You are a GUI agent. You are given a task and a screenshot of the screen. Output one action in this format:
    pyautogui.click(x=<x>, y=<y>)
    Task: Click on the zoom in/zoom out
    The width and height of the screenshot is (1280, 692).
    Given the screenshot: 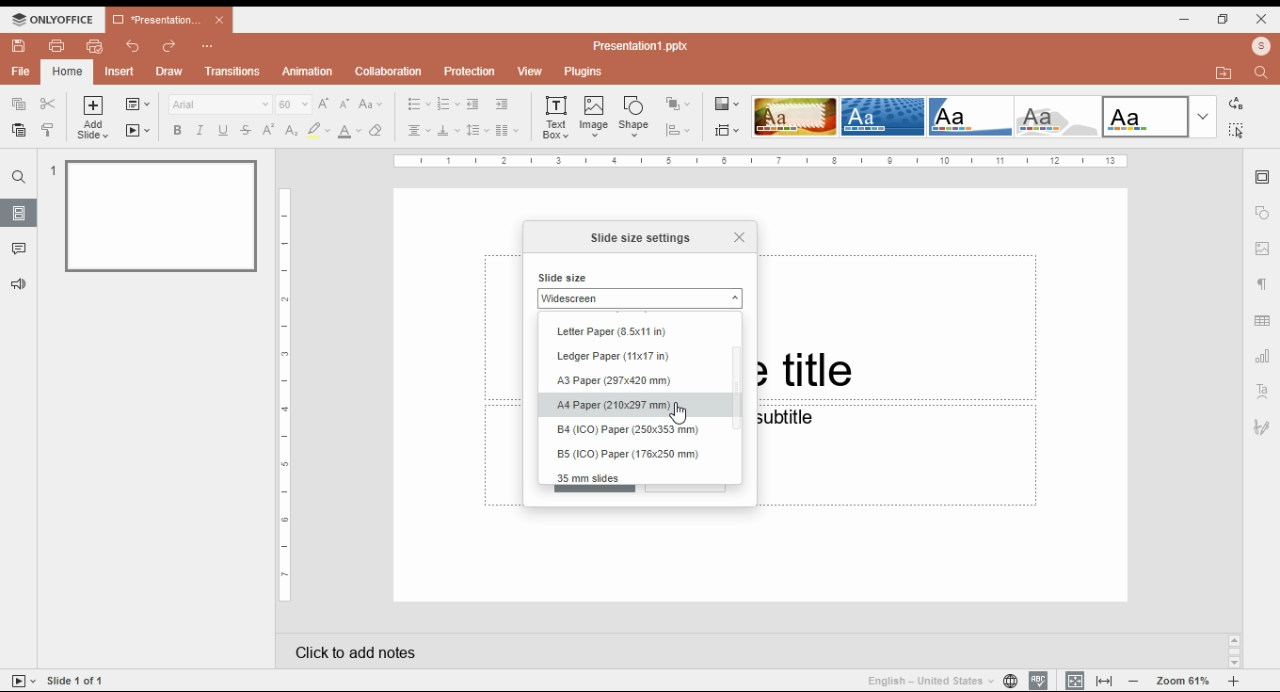 What is the action you would take?
    pyautogui.click(x=1234, y=681)
    